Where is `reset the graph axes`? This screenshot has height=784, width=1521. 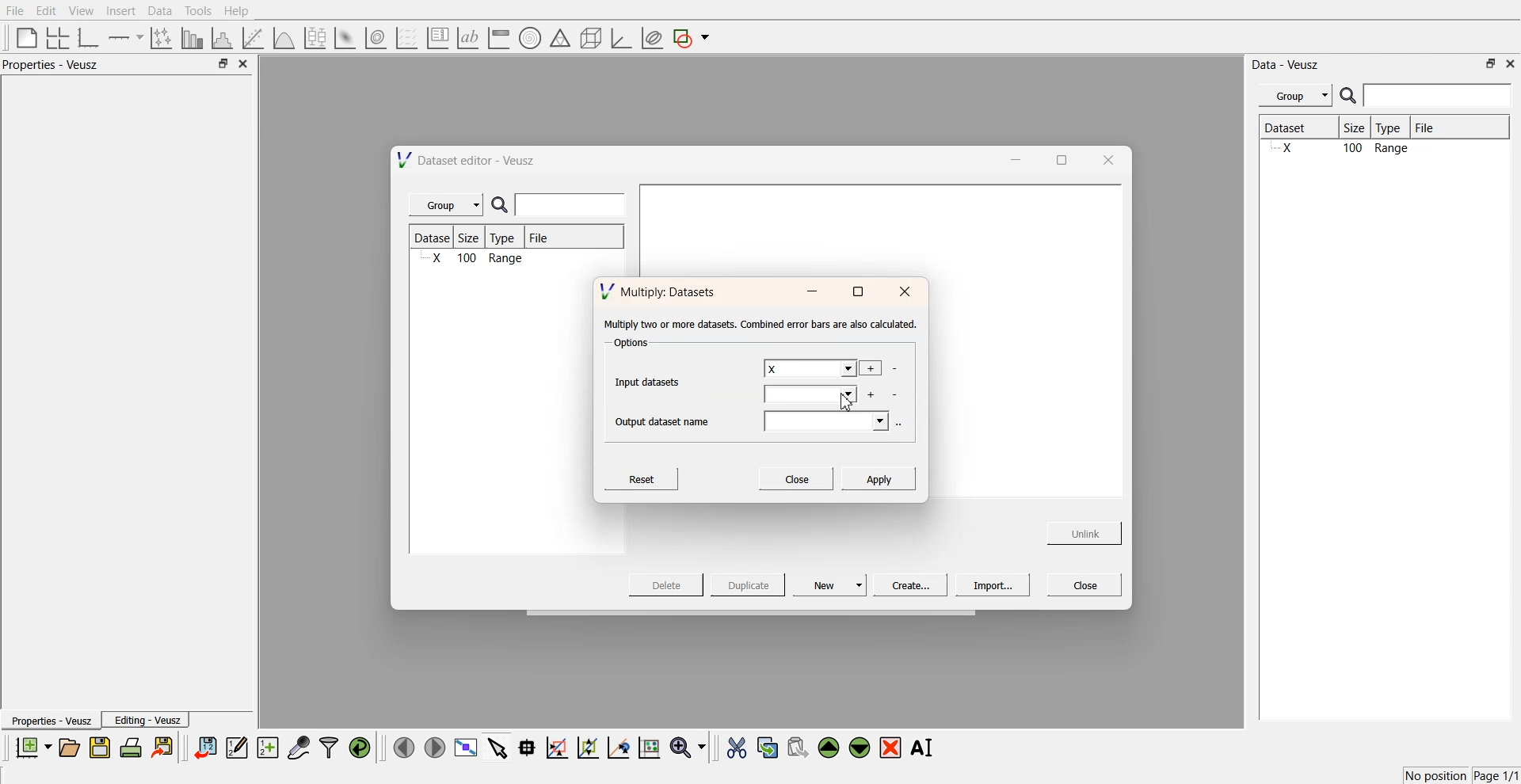
reset the graph axes is located at coordinates (649, 748).